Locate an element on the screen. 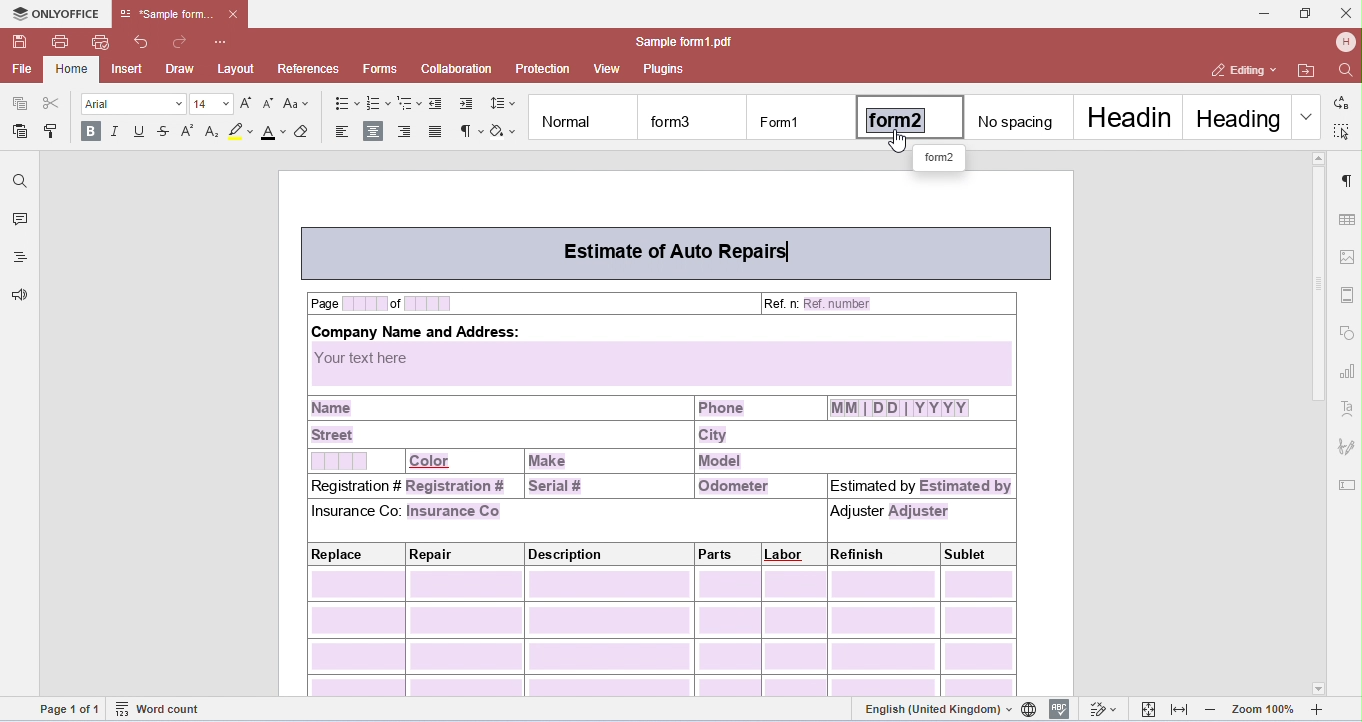 This screenshot has width=1362, height=722. set text language is located at coordinates (931, 709).